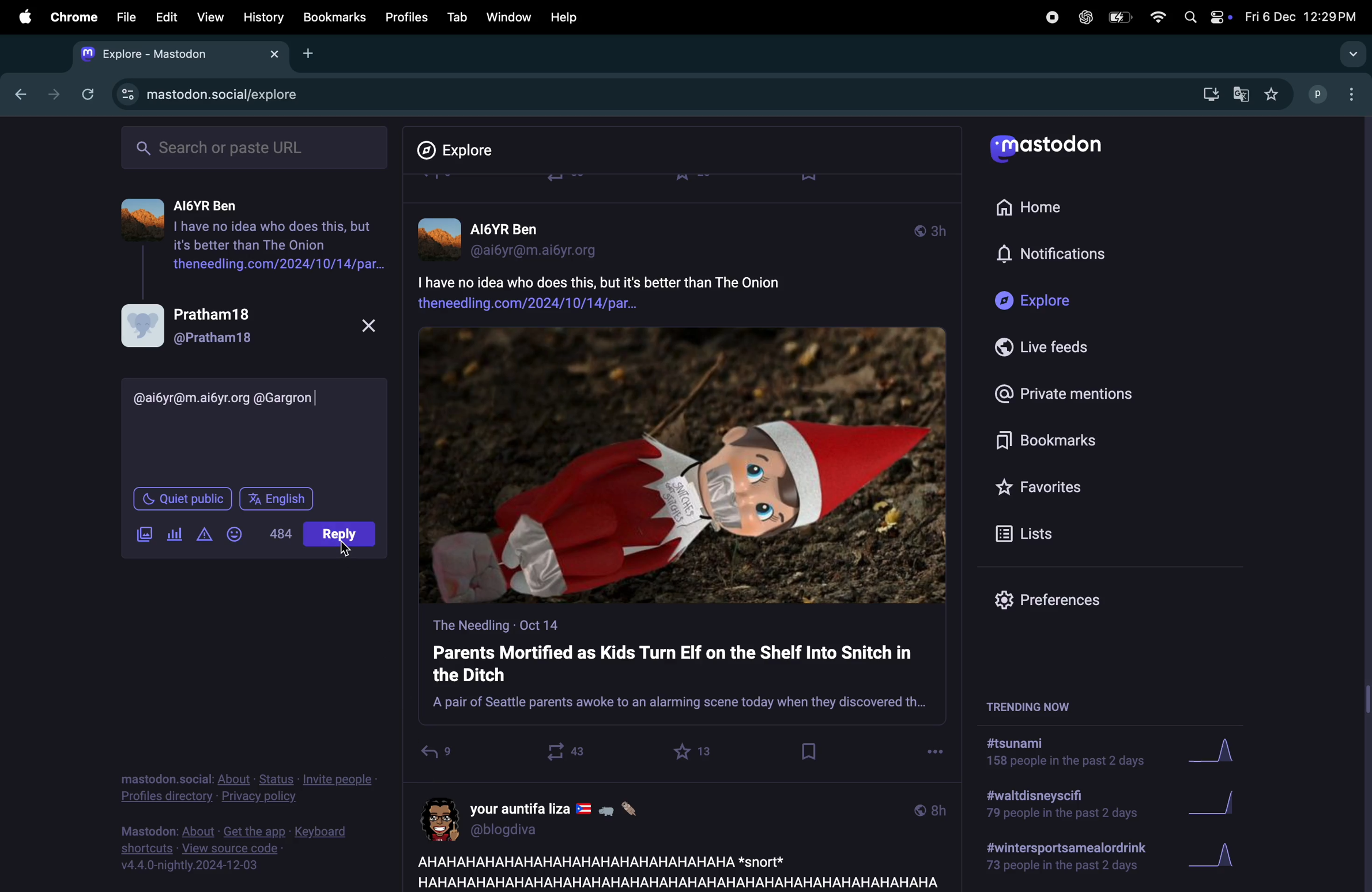  What do you see at coordinates (174, 54) in the screenshot?
I see `mastodon tab` at bounding box center [174, 54].